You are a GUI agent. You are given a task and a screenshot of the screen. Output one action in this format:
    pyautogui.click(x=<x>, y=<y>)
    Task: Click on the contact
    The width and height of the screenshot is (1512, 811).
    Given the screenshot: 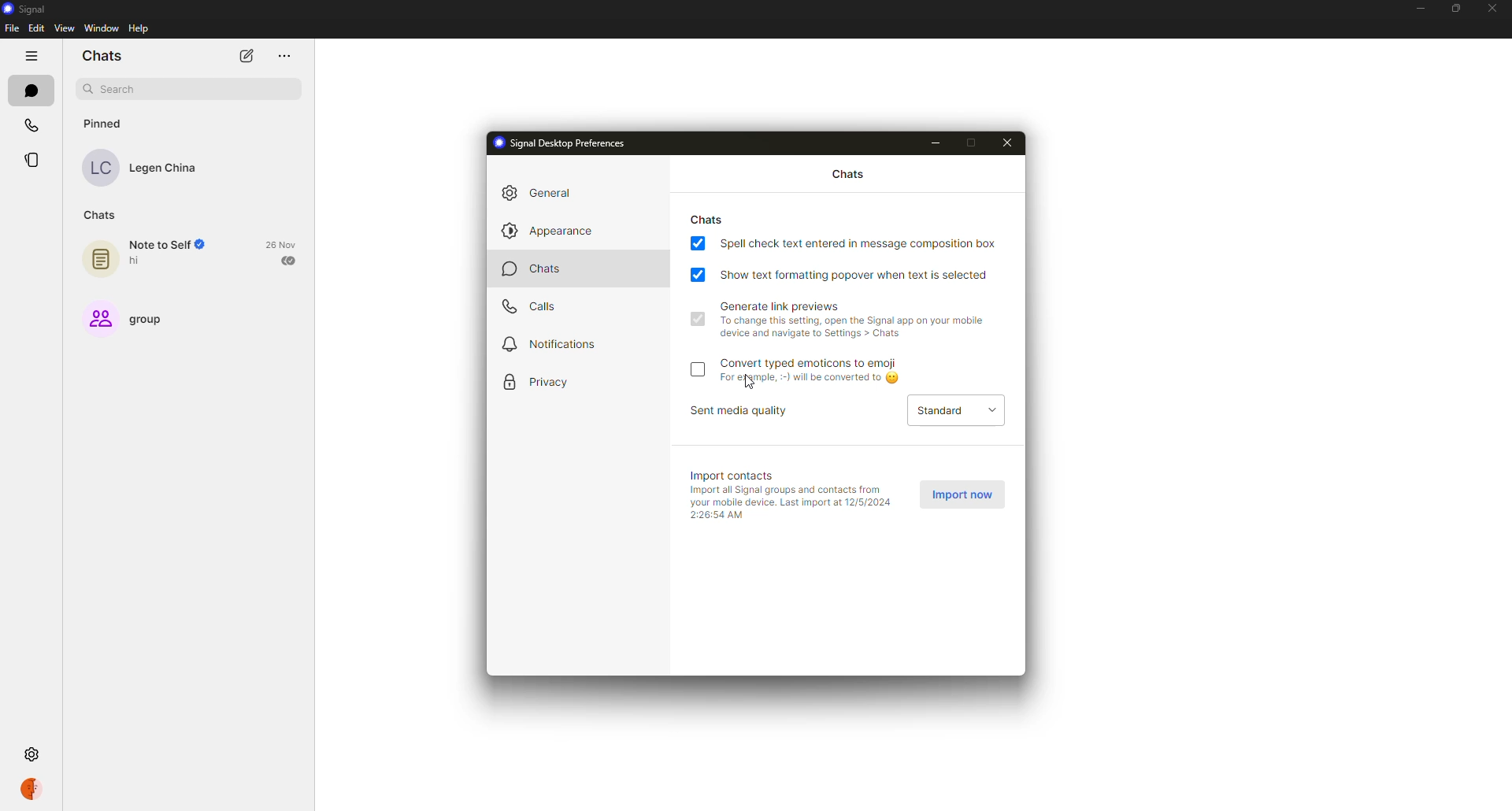 What is the action you would take?
    pyautogui.click(x=143, y=166)
    